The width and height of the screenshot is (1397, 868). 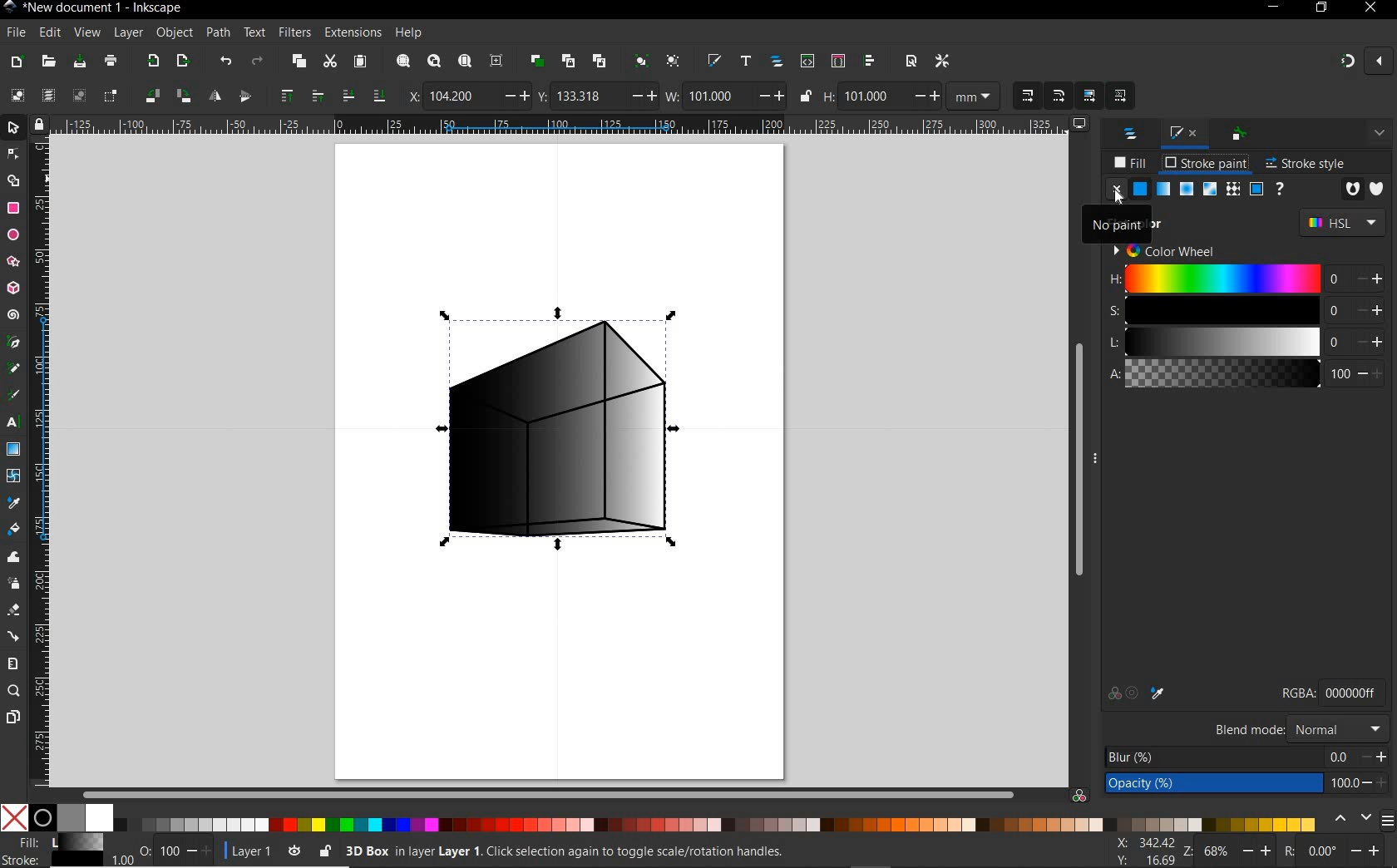 What do you see at coordinates (14, 210) in the screenshot?
I see `RECTANGLE TOOL` at bounding box center [14, 210].